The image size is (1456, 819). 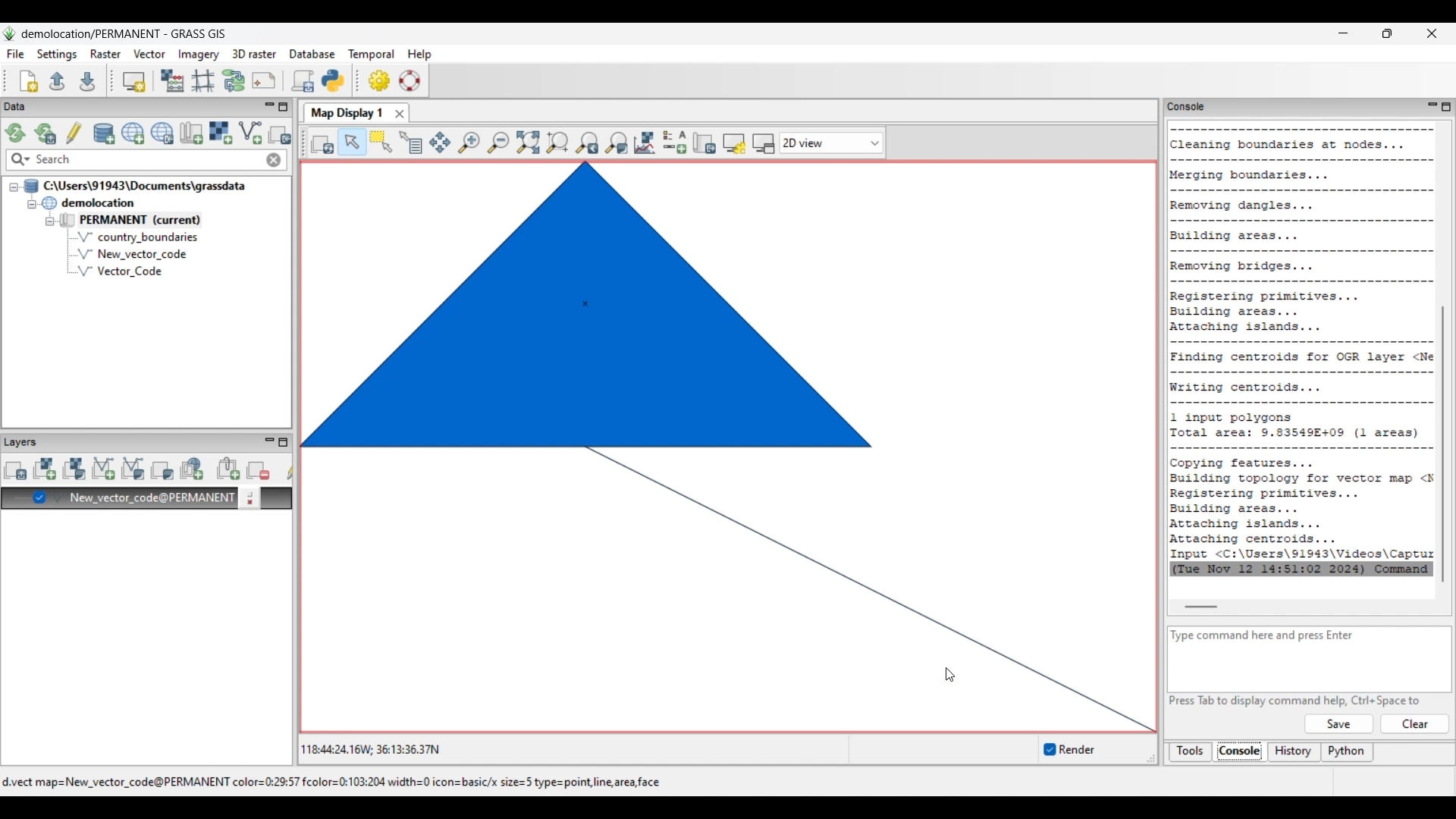 What do you see at coordinates (14, 187) in the screenshot?
I see `Collapse file thread ` at bounding box center [14, 187].